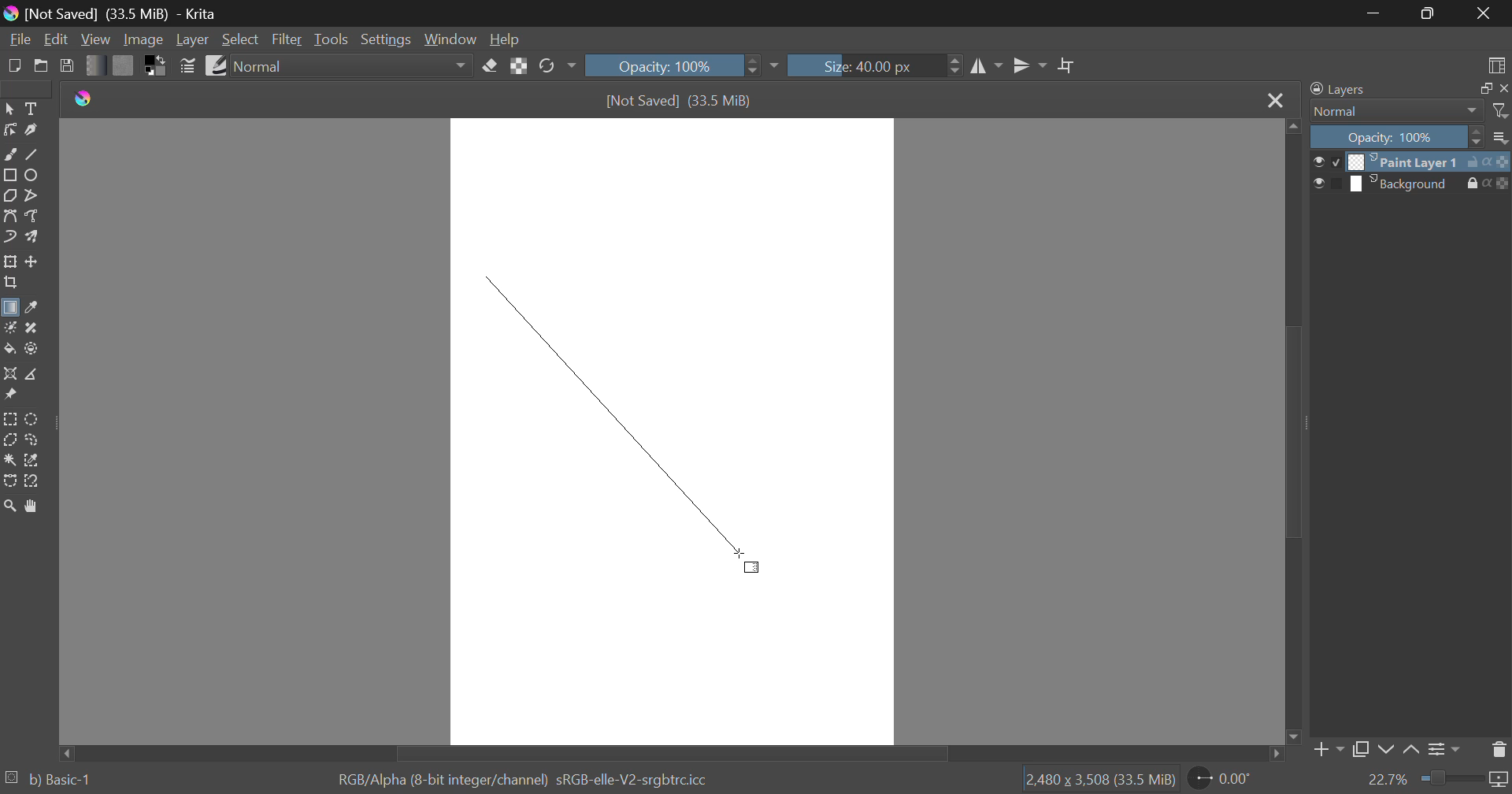 The height and width of the screenshot is (794, 1512). What do you see at coordinates (680, 65) in the screenshot?
I see `Opacity: 100%` at bounding box center [680, 65].